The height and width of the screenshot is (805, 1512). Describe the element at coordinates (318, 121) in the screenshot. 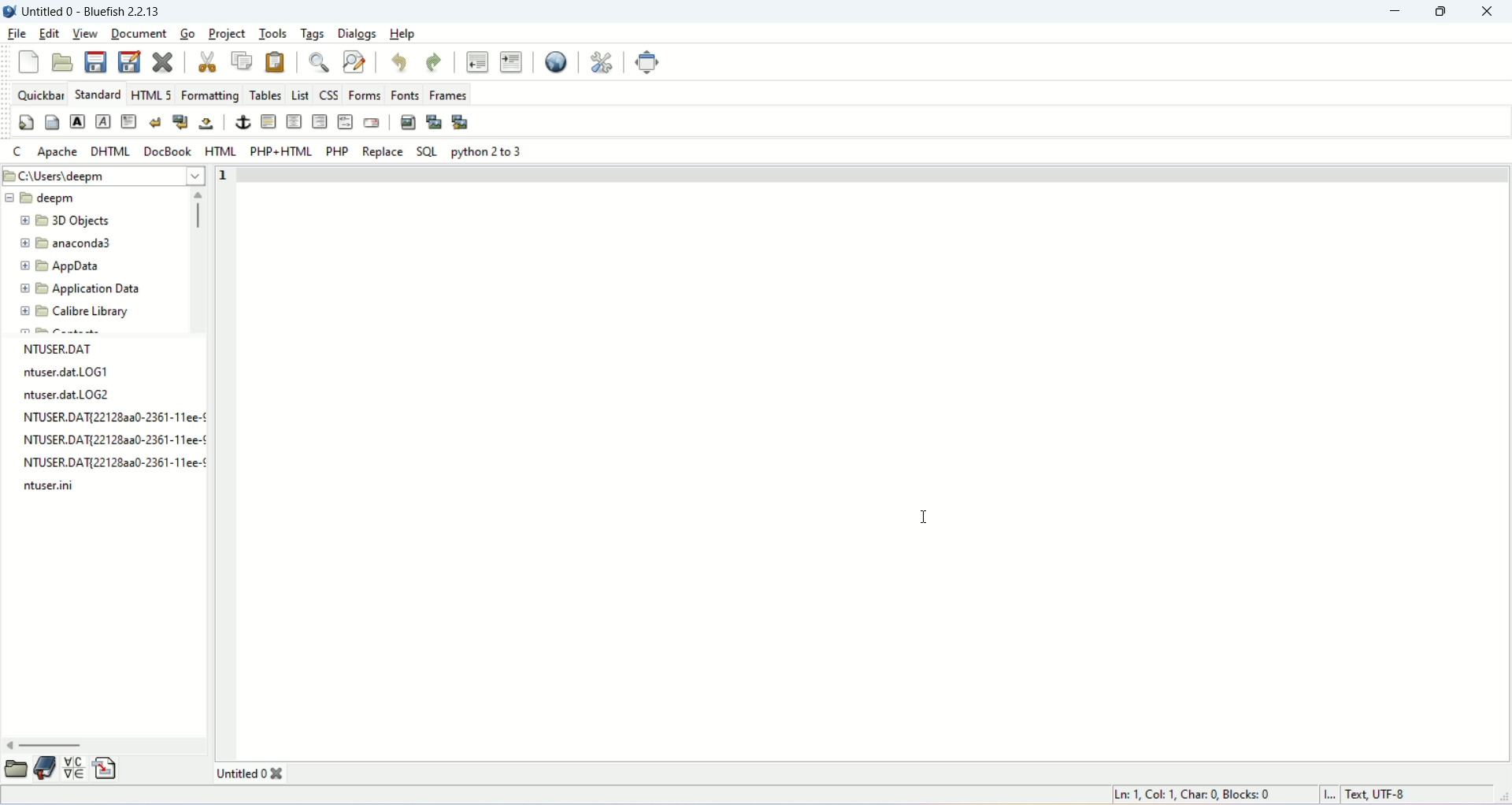

I see `right justify` at that location.